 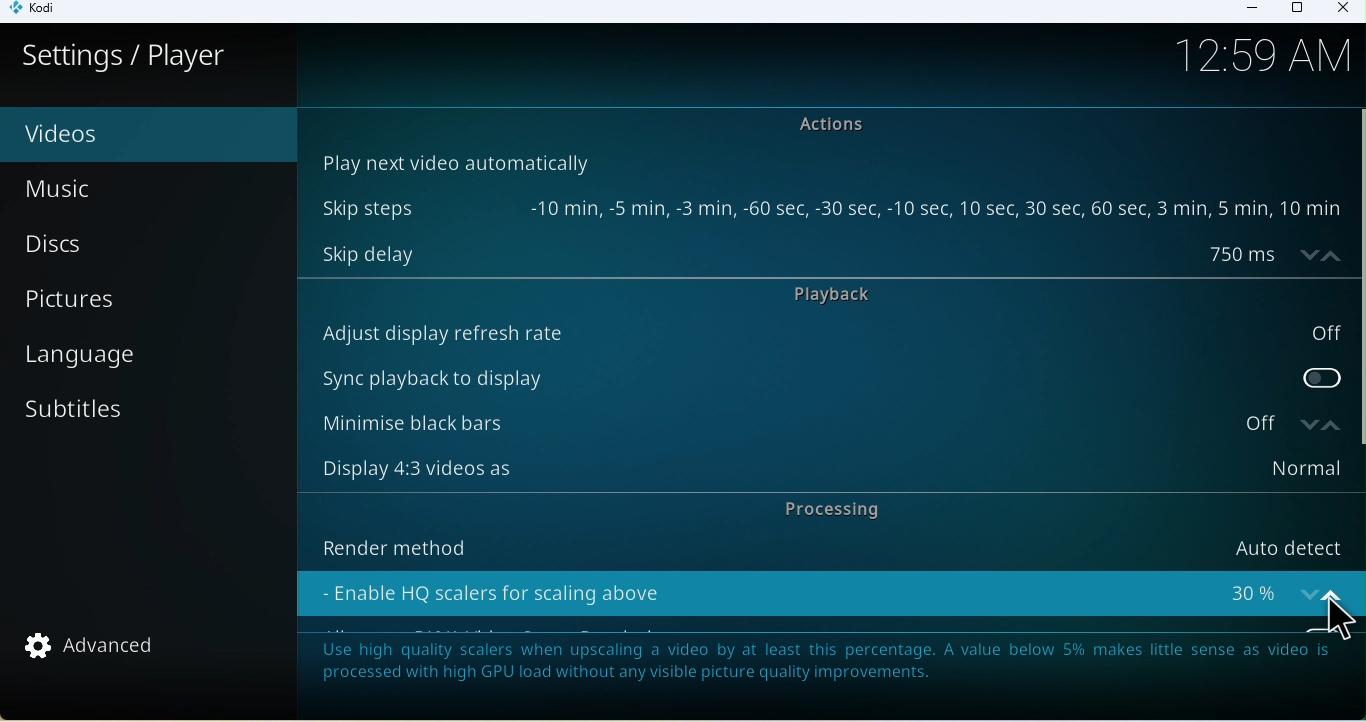 What do you see at coordinates (453, 161) in the screenshot?
I see `Play next video automatically` at bounding box center [453, 161].